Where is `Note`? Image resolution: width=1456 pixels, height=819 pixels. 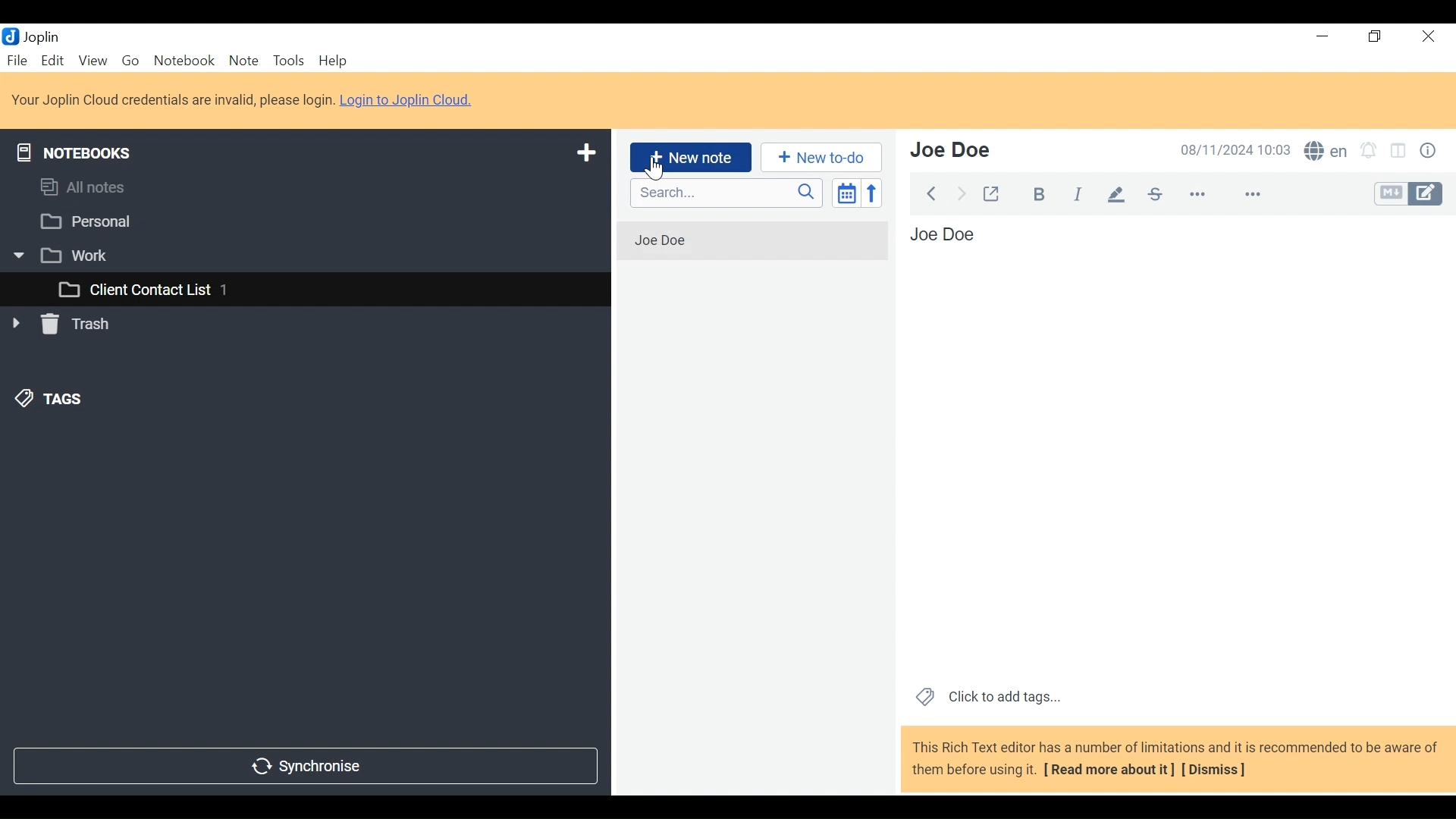 Note is located at coordinates (243, 61).